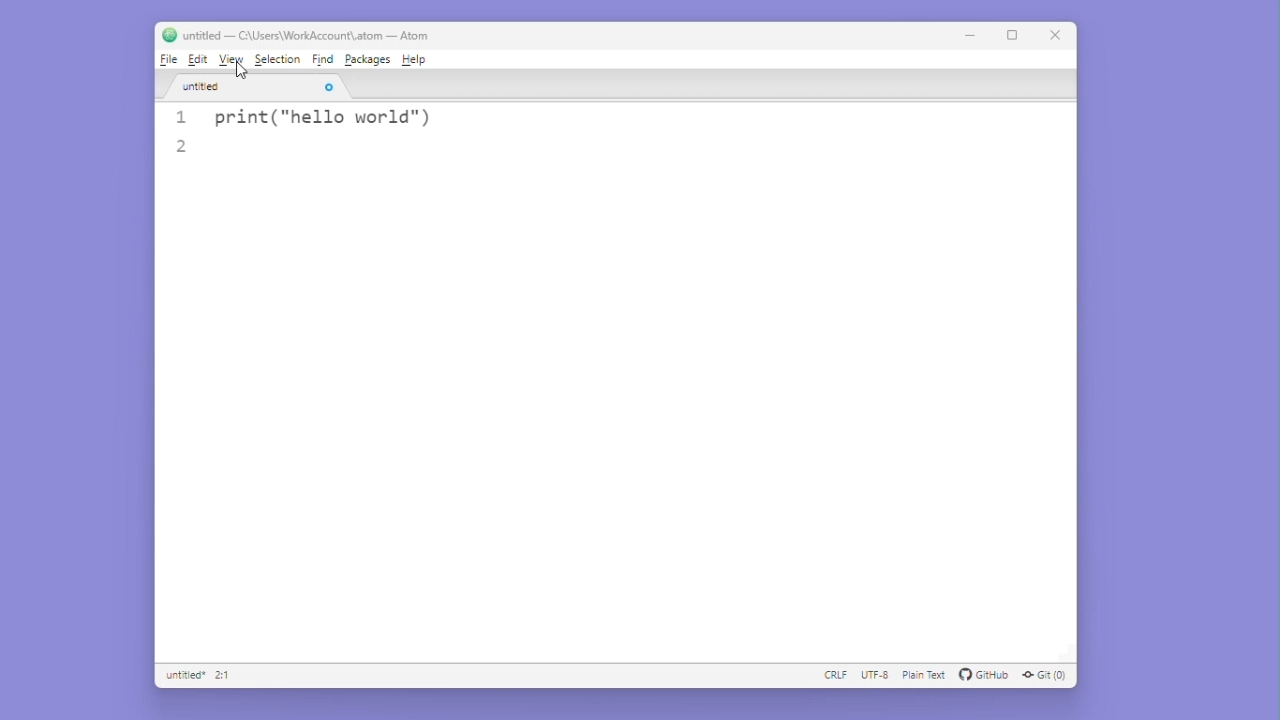  What do you see at coordinates (224, 676) in the screenshot?
I see `2:1` at bounding box center [224, 676].